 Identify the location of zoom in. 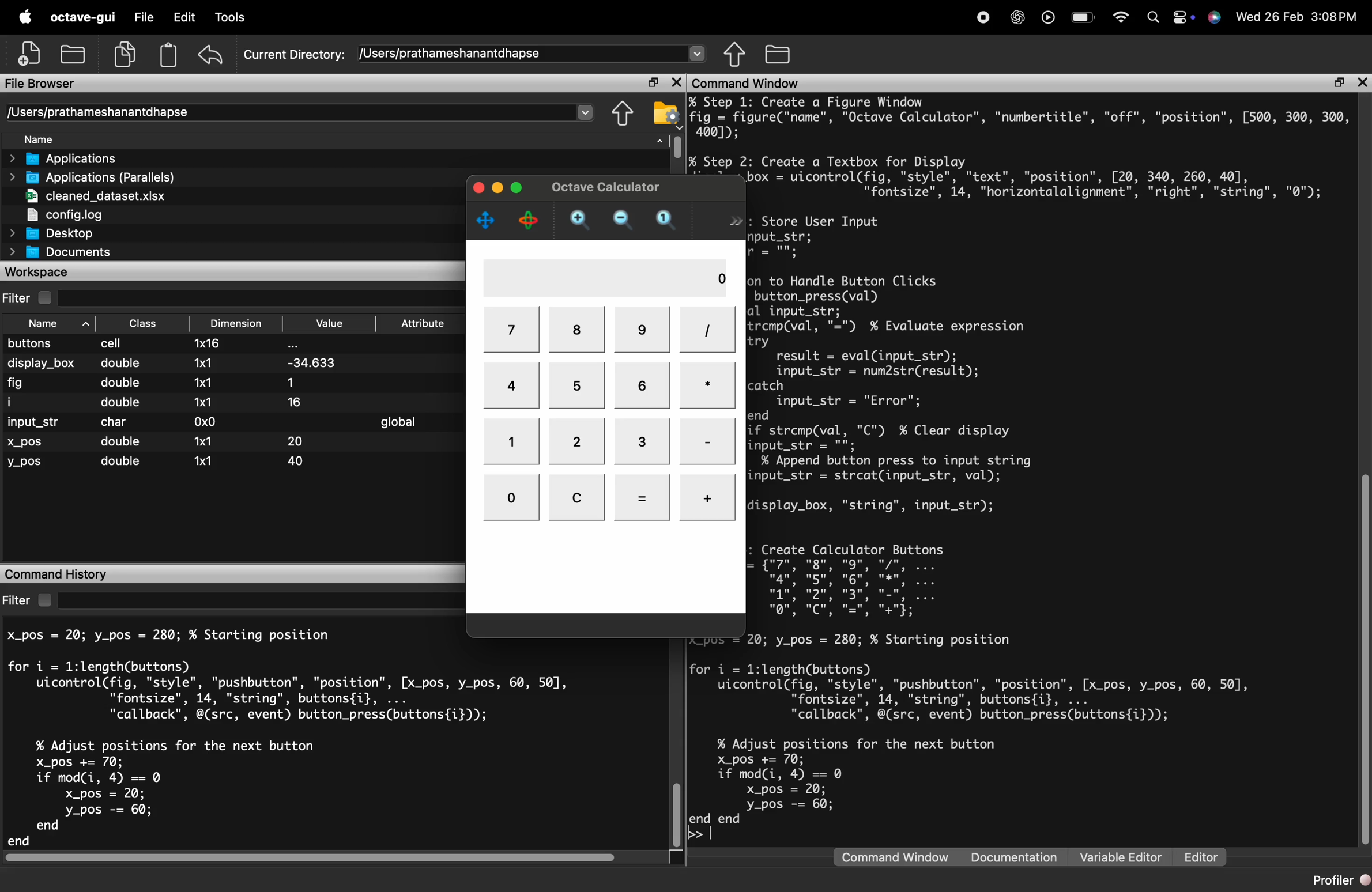
(578, 220).